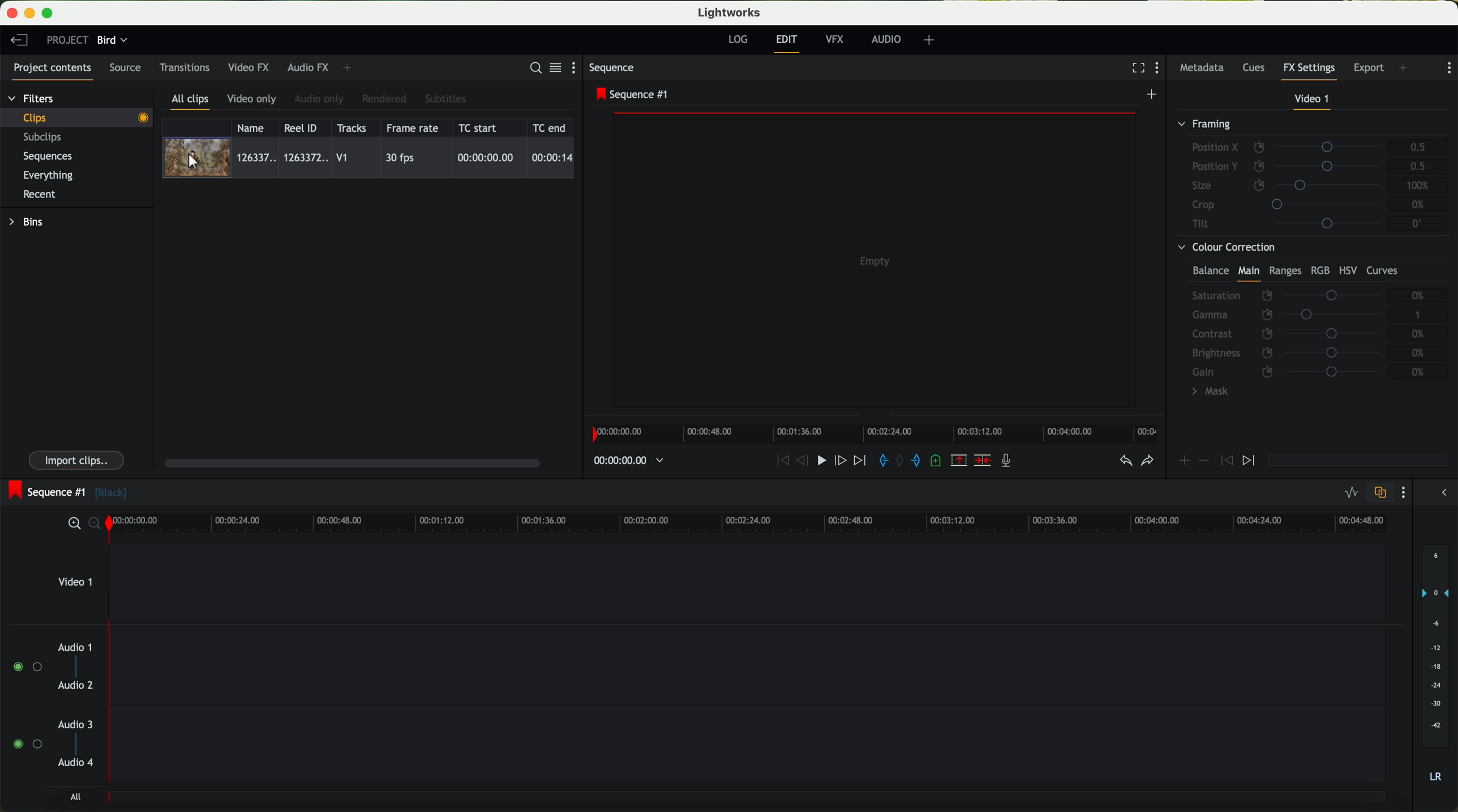 The width and height of the screenshot is (1458, 812). I want to click on audio, so click(886, 39).